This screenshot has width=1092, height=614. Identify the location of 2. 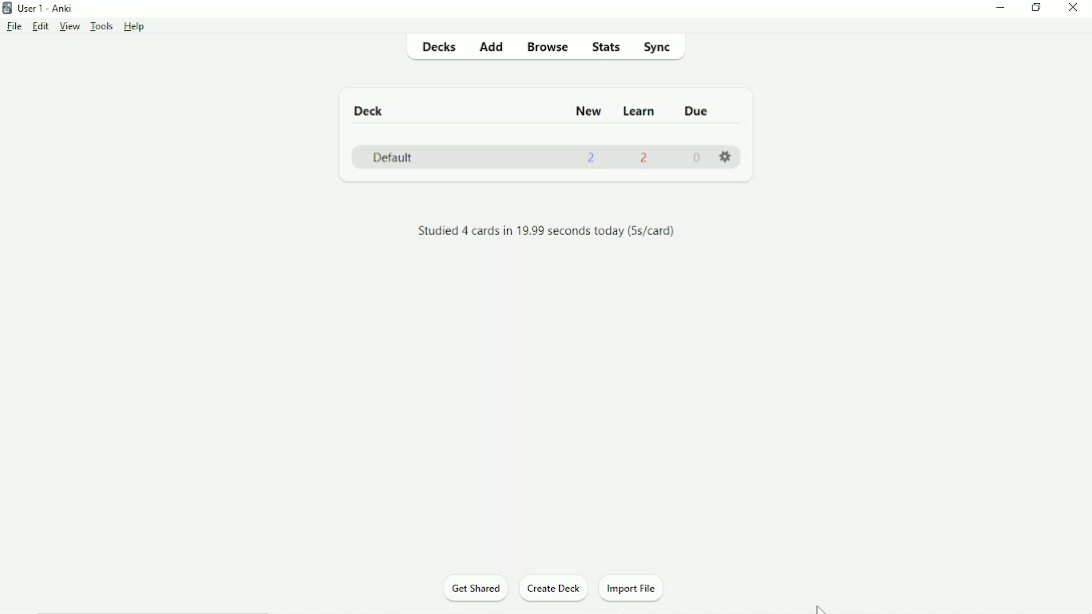
(592, 157).